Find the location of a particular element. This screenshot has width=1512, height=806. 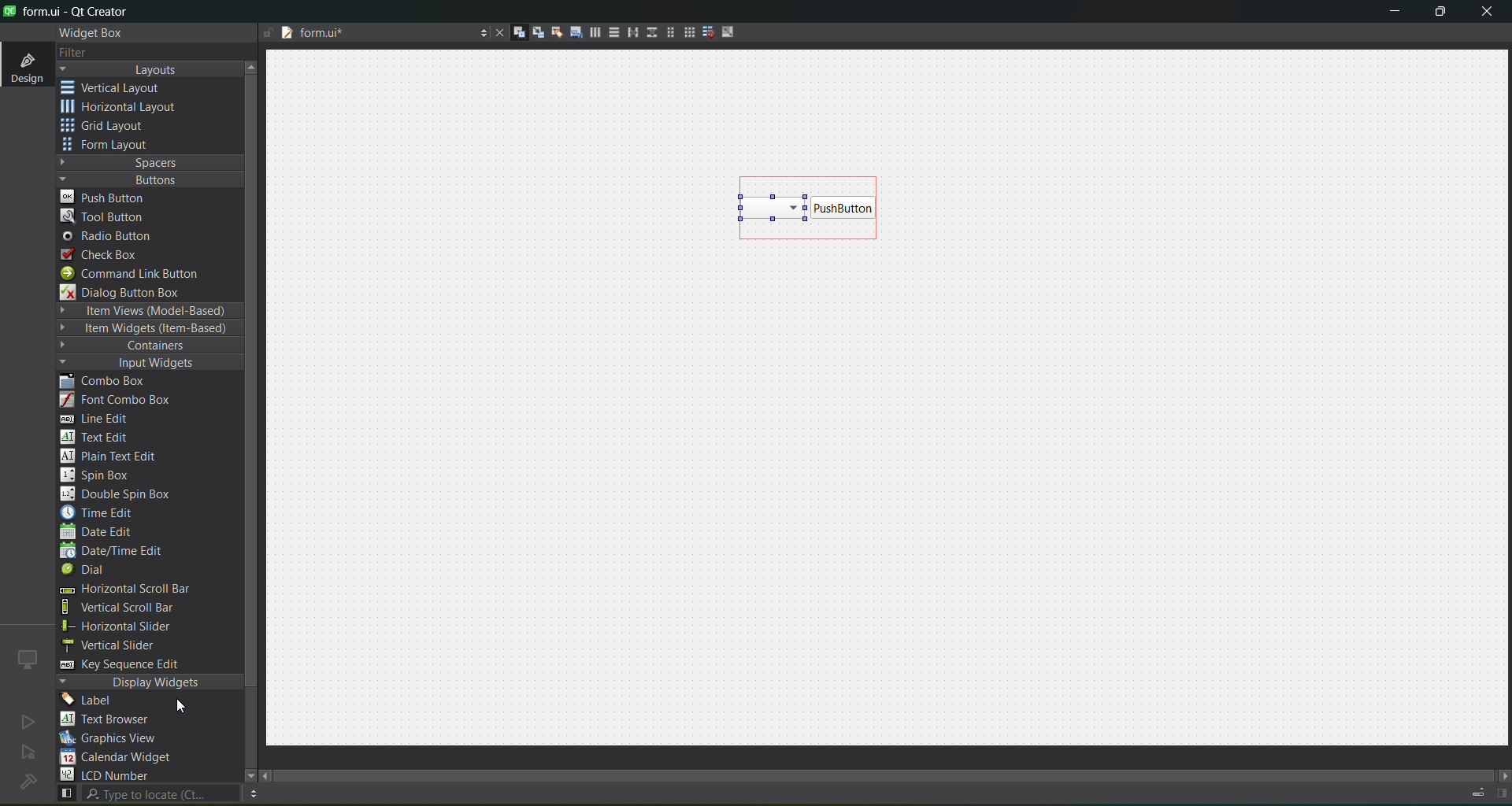

lcd number is located at coordinates (109, 775).